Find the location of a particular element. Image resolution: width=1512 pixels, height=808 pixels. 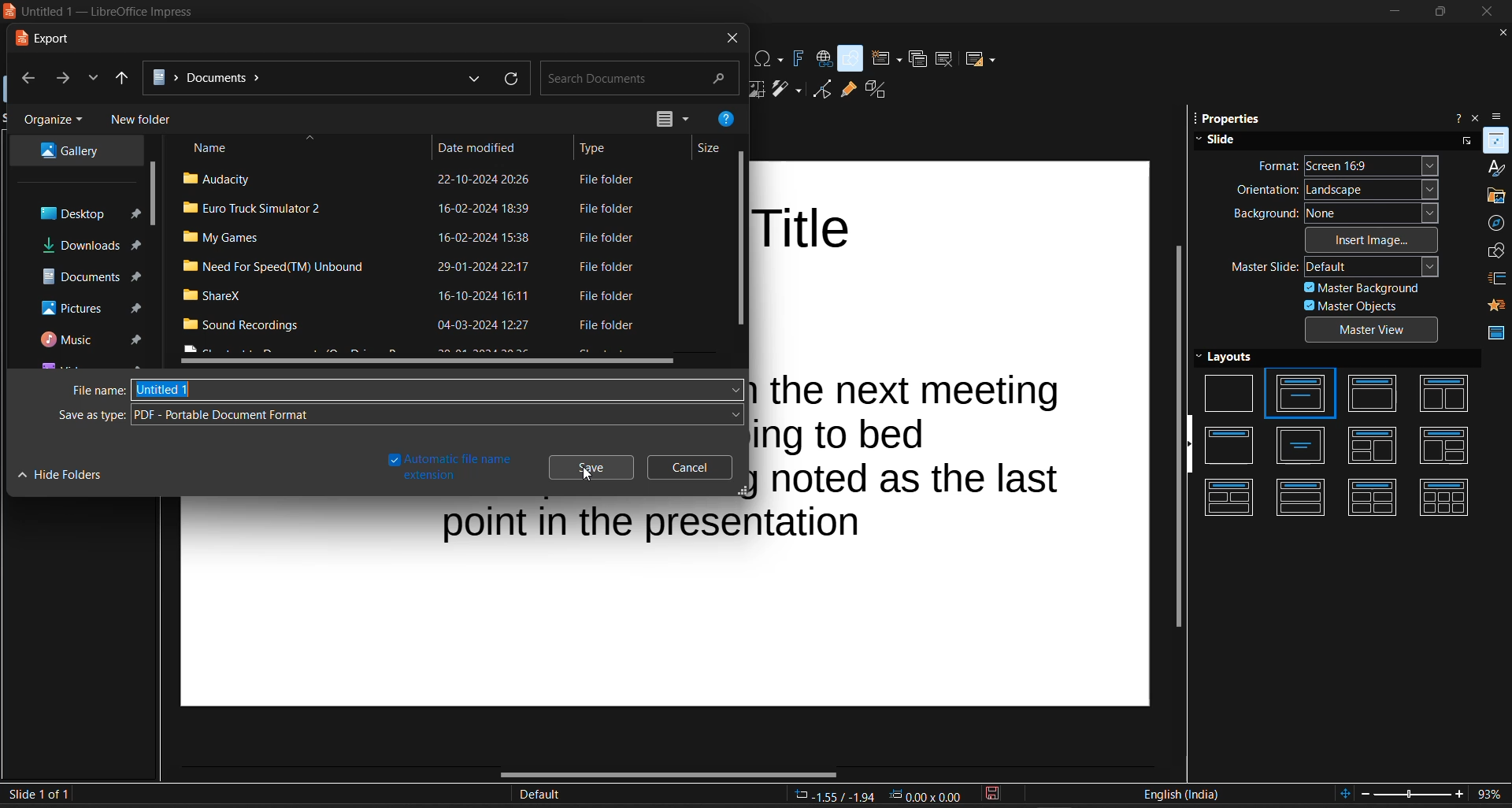

close tab is located at coordinates (732, 40).